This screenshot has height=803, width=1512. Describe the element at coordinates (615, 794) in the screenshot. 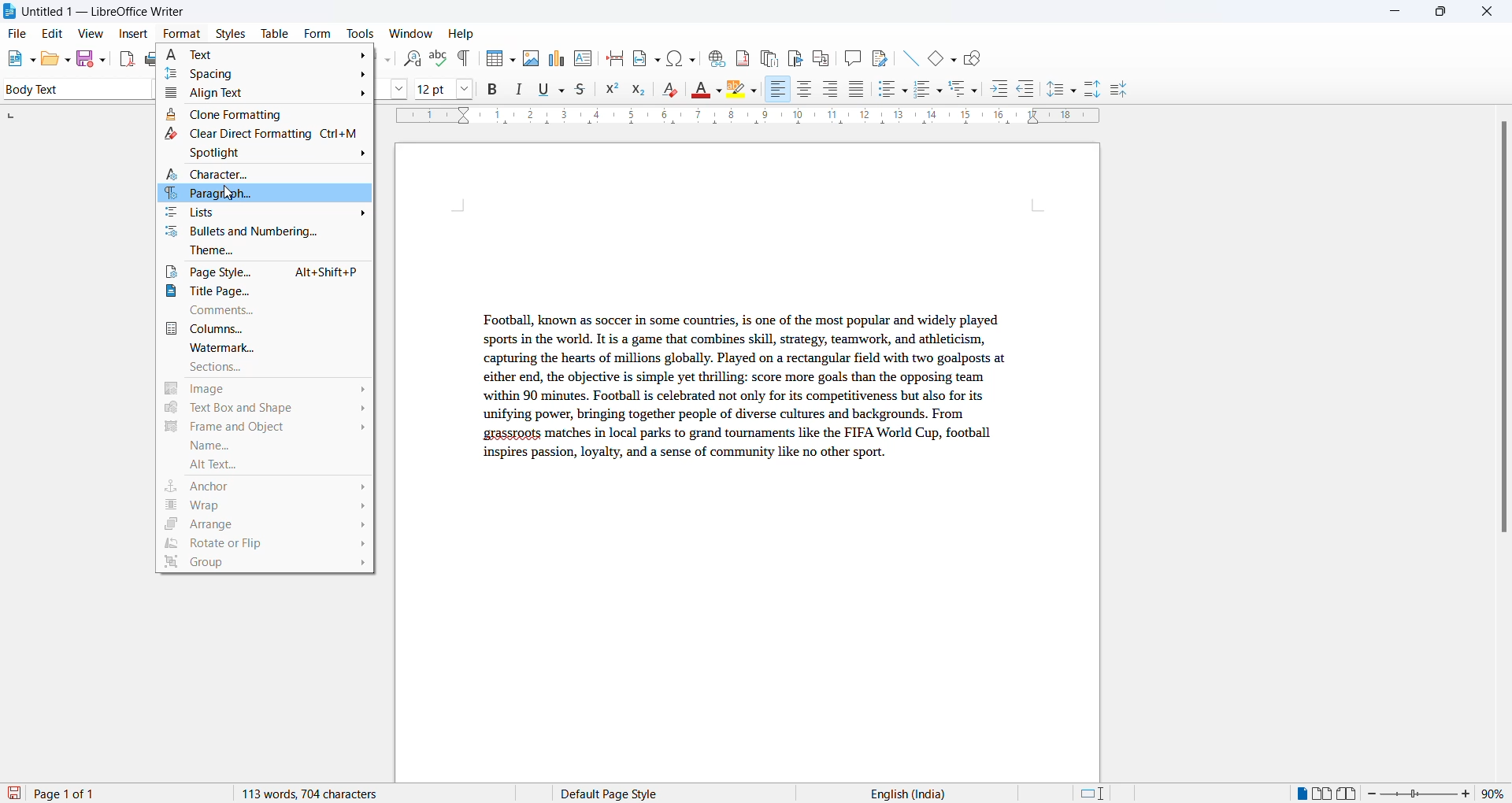

I see `page style` at that location.